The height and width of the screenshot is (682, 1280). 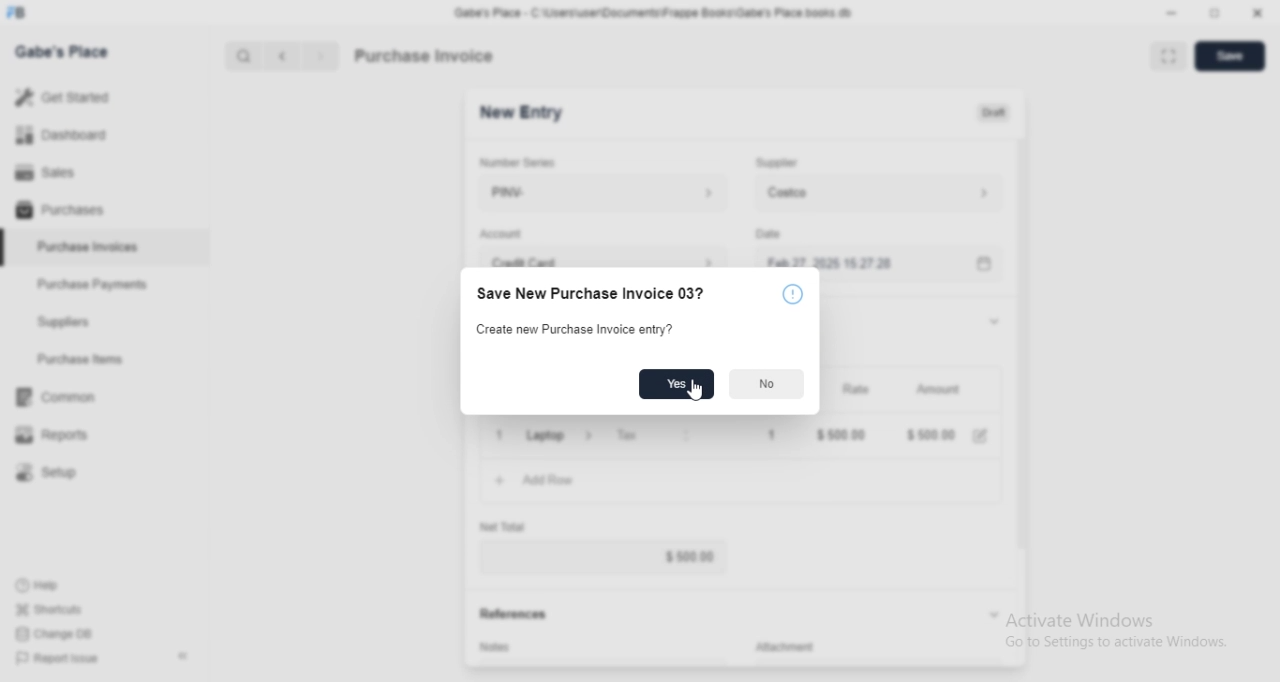 What do you see at coordinates (61, 51) in the screenshot?
I see `Gabe's Place` at bounding box center [61, 51].